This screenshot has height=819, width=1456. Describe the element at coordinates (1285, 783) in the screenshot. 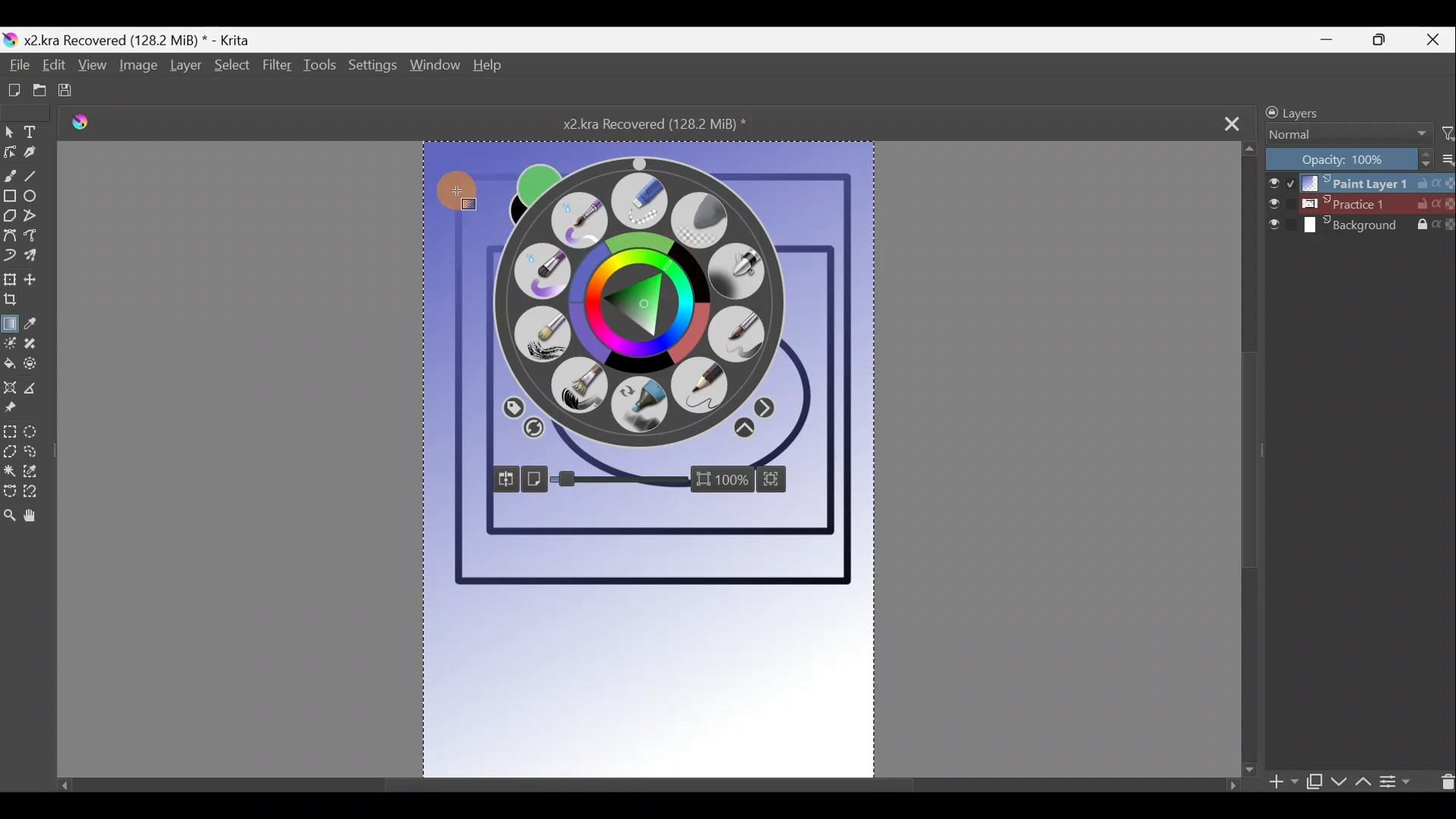

I see `Add layer/mask` at that location.